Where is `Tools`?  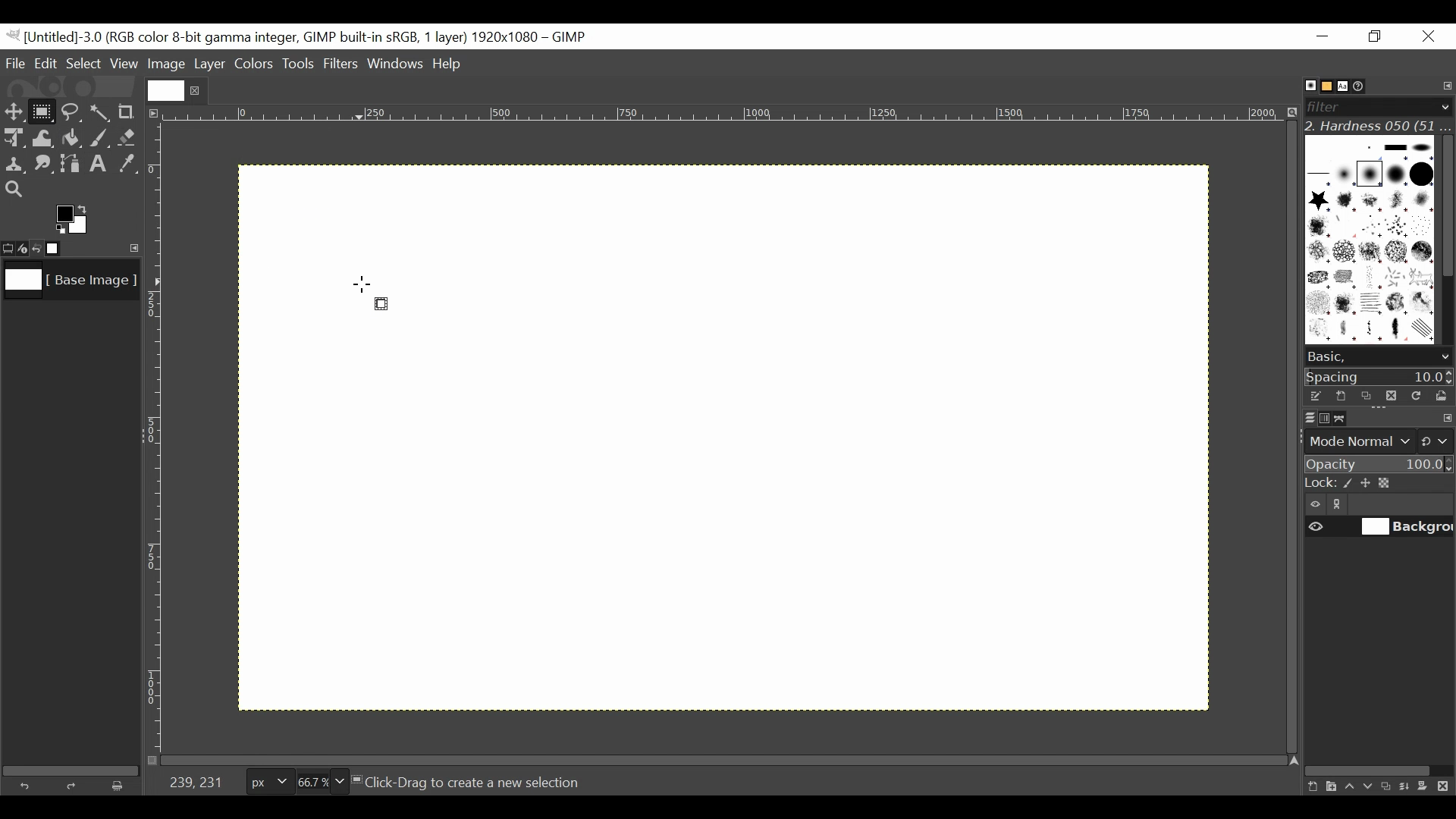
Tools is located at coordinates (300, 65).